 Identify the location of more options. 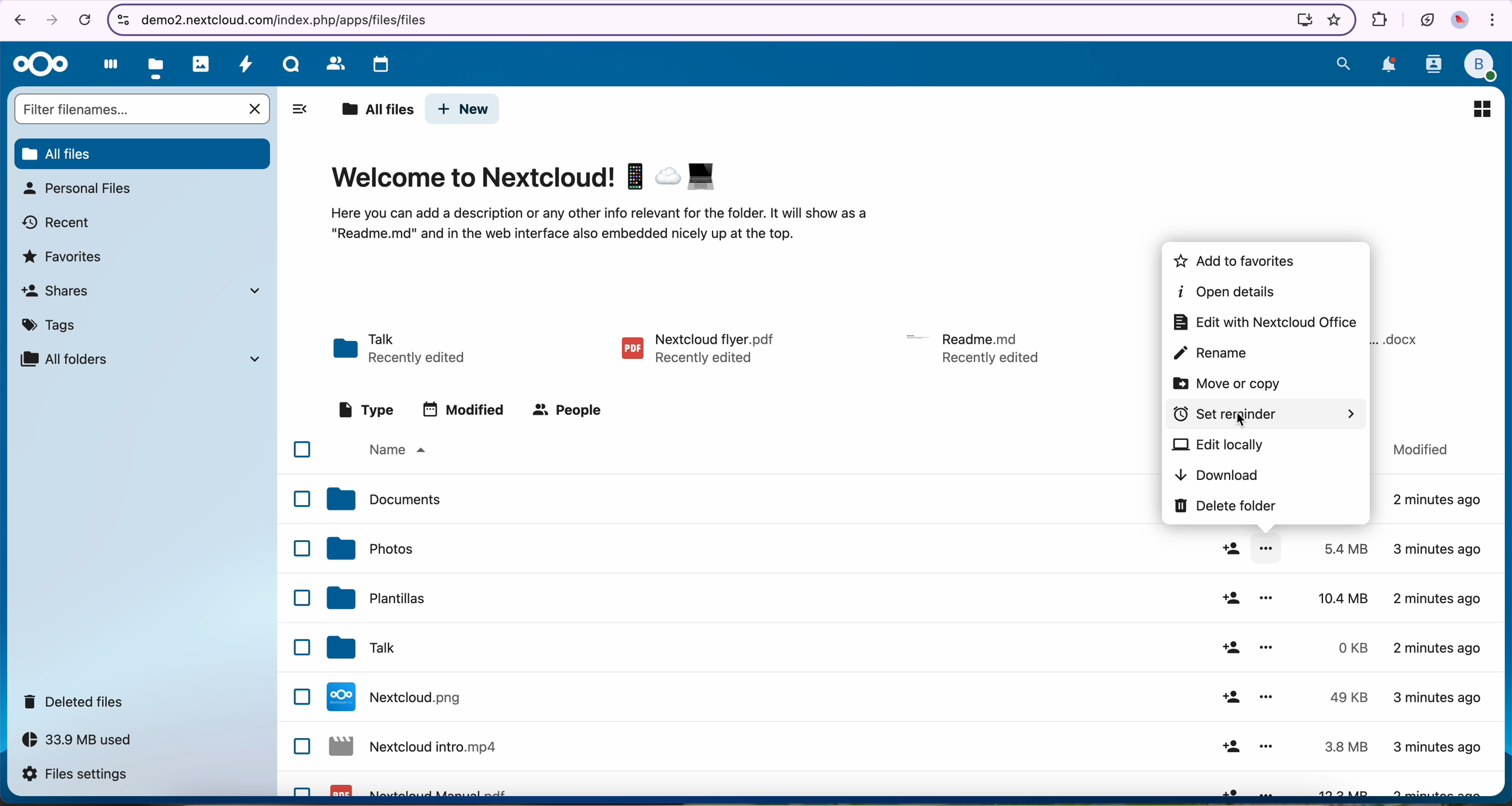
(1265, 648).